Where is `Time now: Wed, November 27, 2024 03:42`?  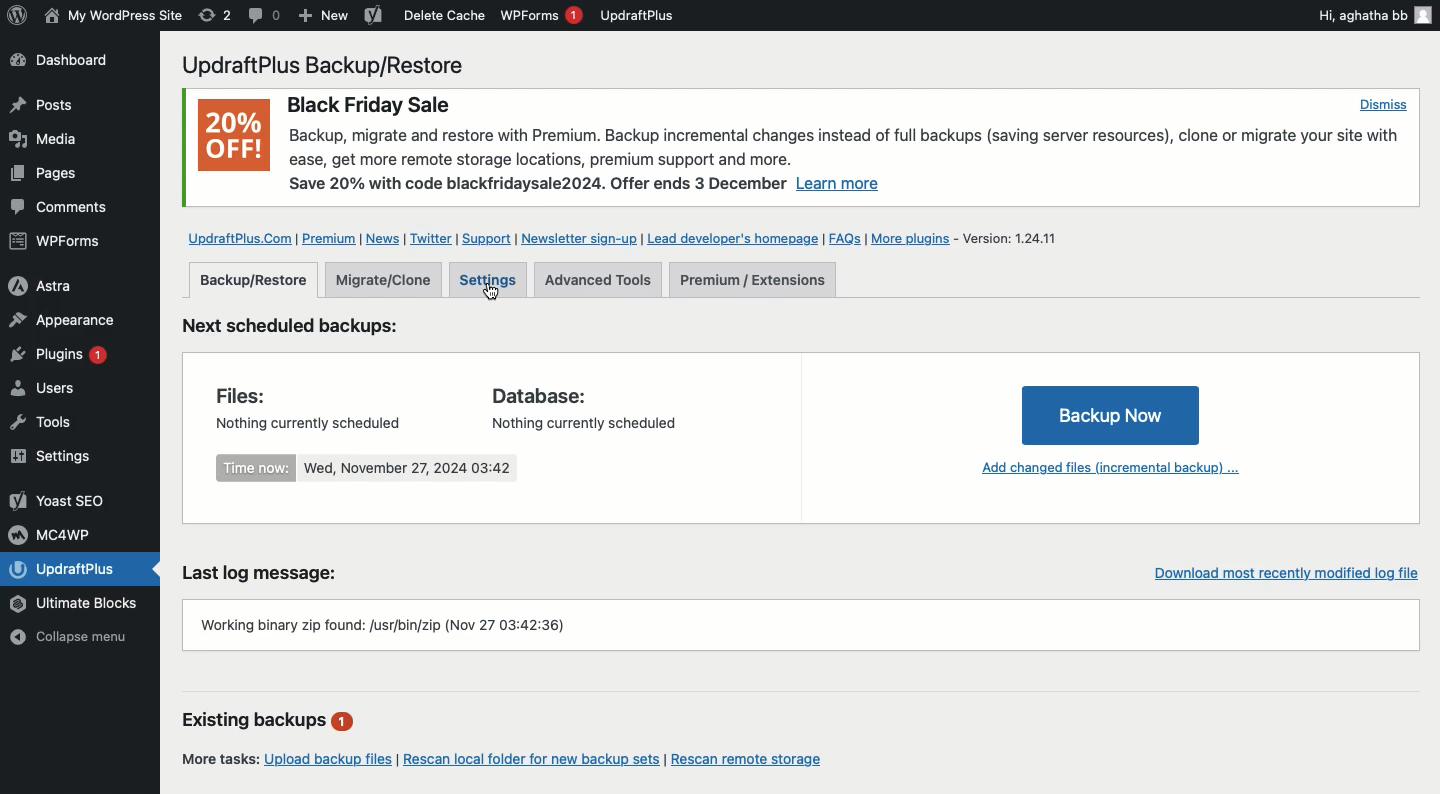
Time now: Wed, November 27, 2024 03:42 is located at coordinates (364, 469).